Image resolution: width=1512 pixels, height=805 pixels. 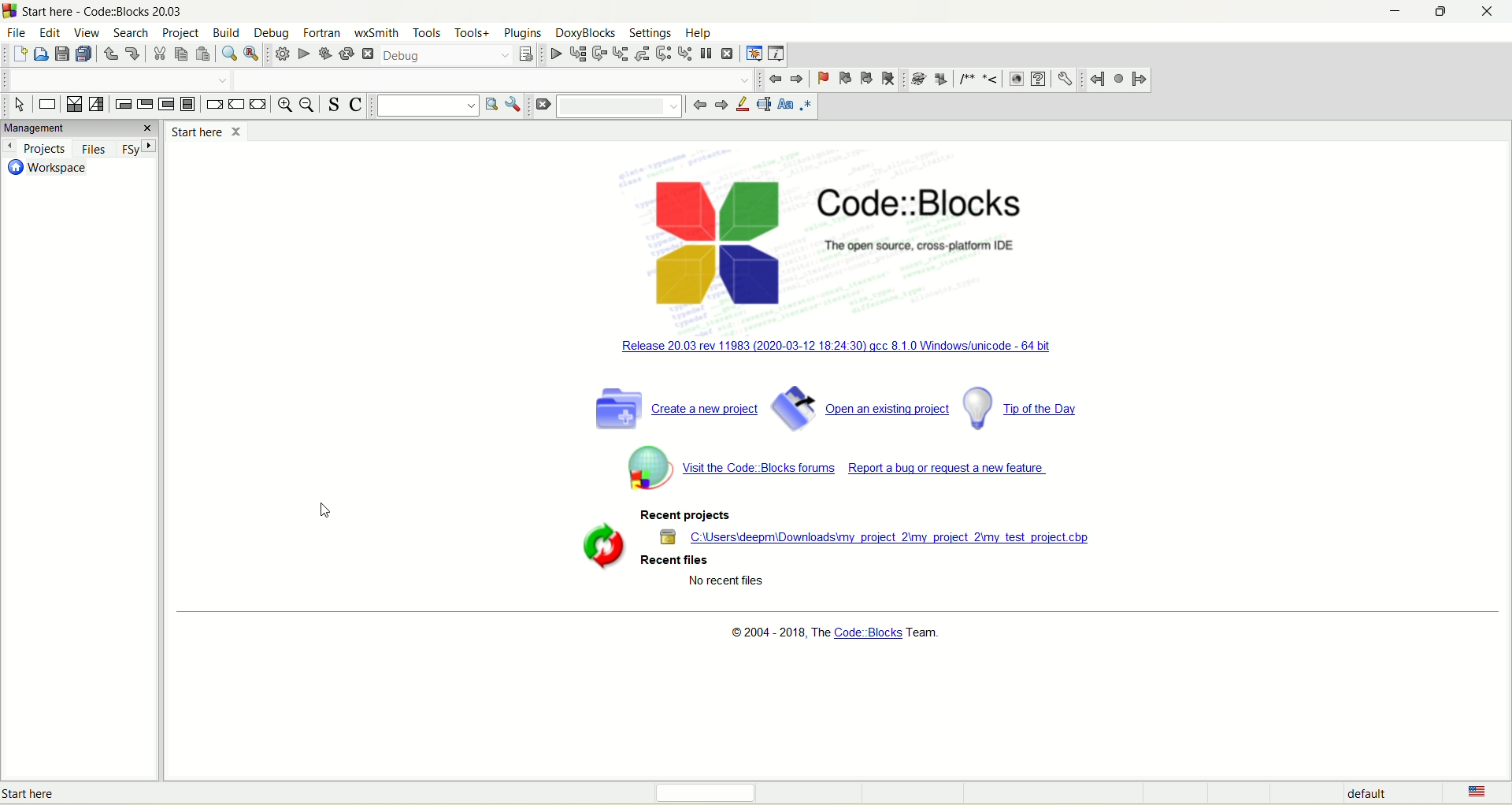 I want to click on minimize, so click(x=1395, y=12).